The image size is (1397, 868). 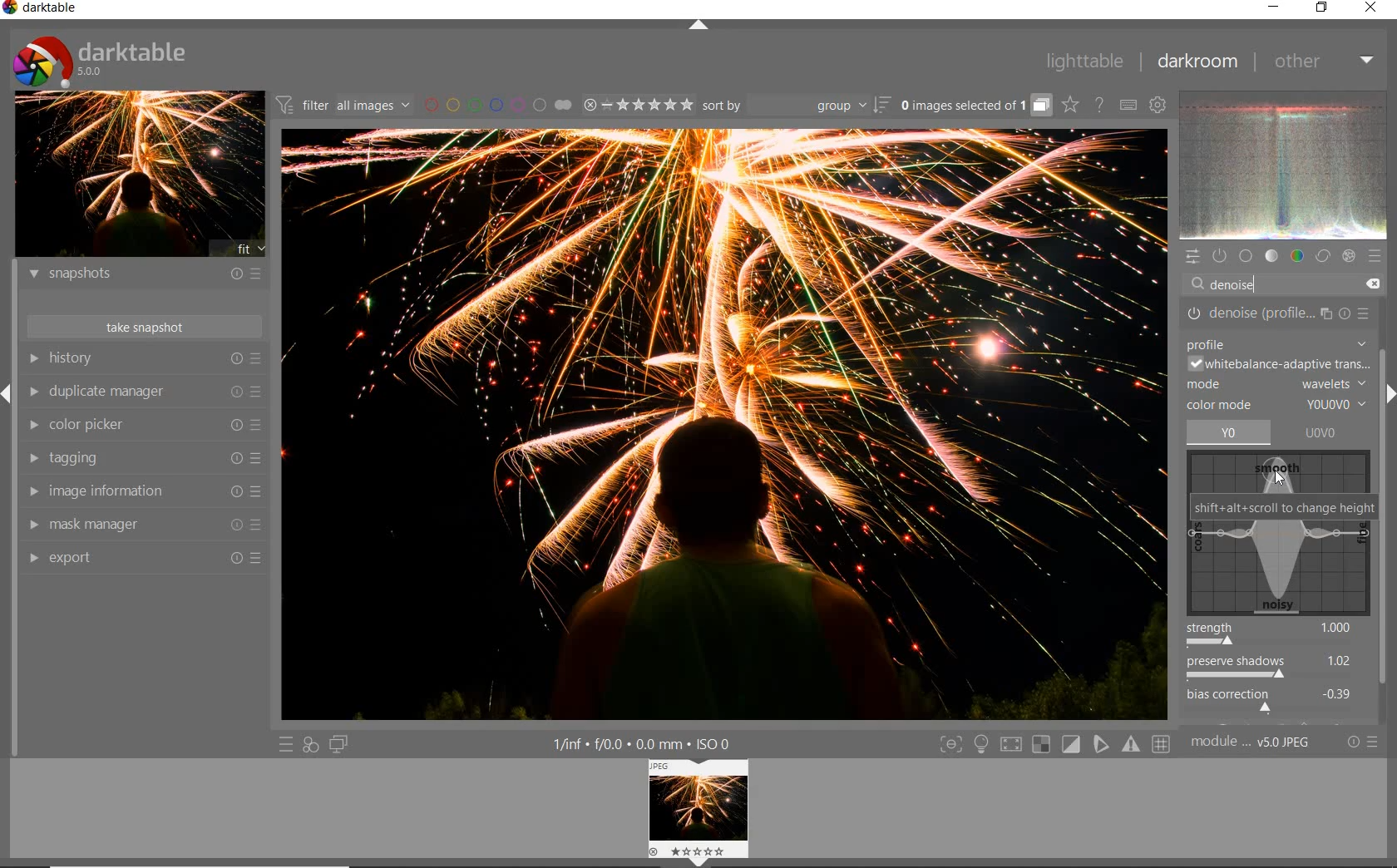 What do you see at coordinates (1375, 284) in the screenshot?
I see `DELETE` at bounding box center [1375, 284].